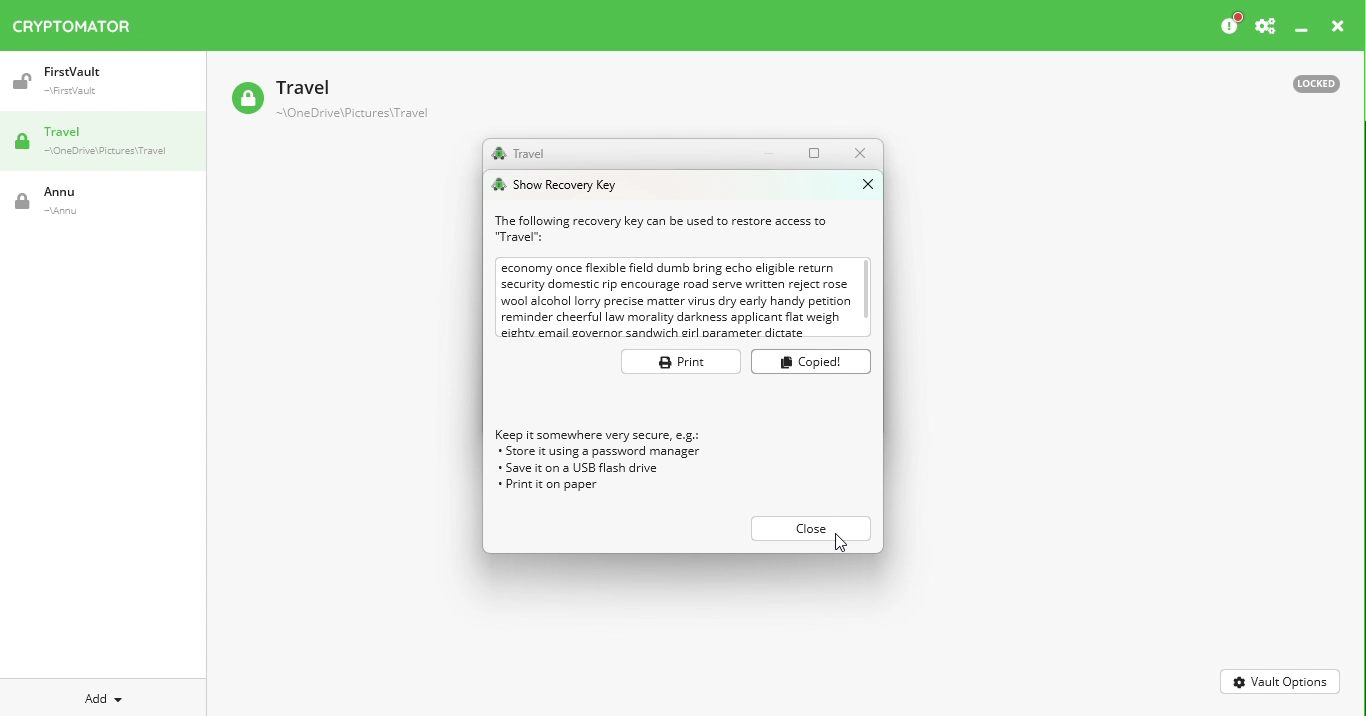  I want to click on Close, so click(1338, 29).